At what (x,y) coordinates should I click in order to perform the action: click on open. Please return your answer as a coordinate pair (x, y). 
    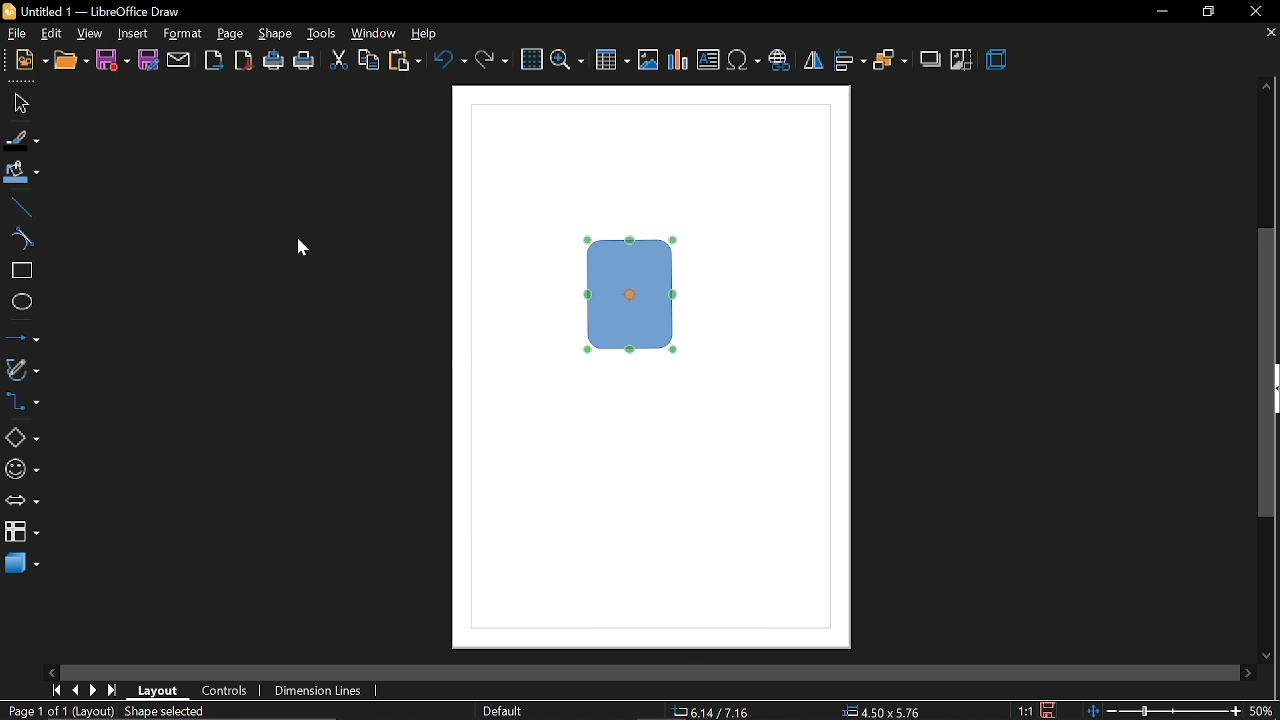
    Looking at the image, I should click on (72, 61).